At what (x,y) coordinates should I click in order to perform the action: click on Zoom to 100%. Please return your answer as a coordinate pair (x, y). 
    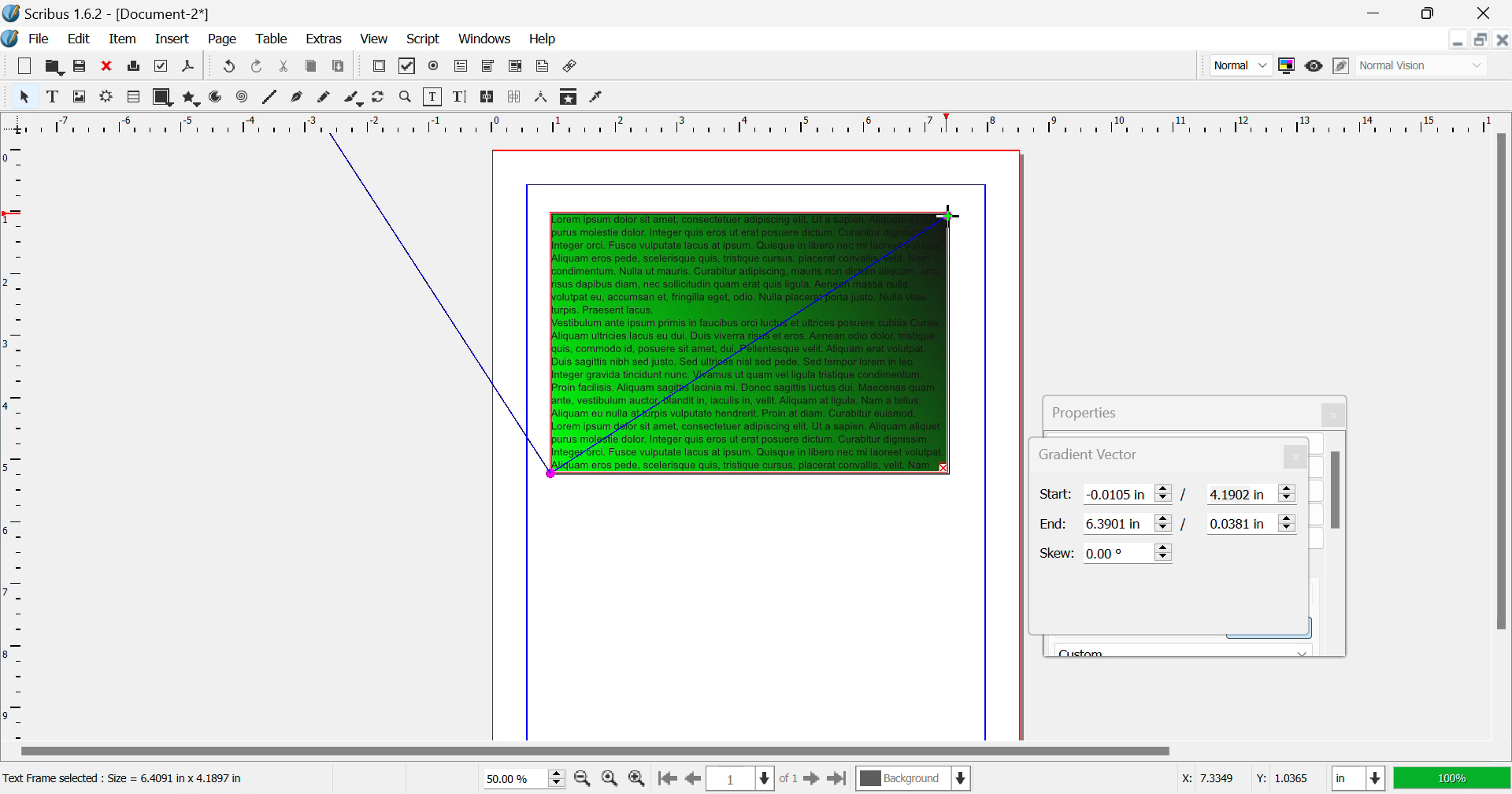
    Looking at the image, I should click on (610, 778).